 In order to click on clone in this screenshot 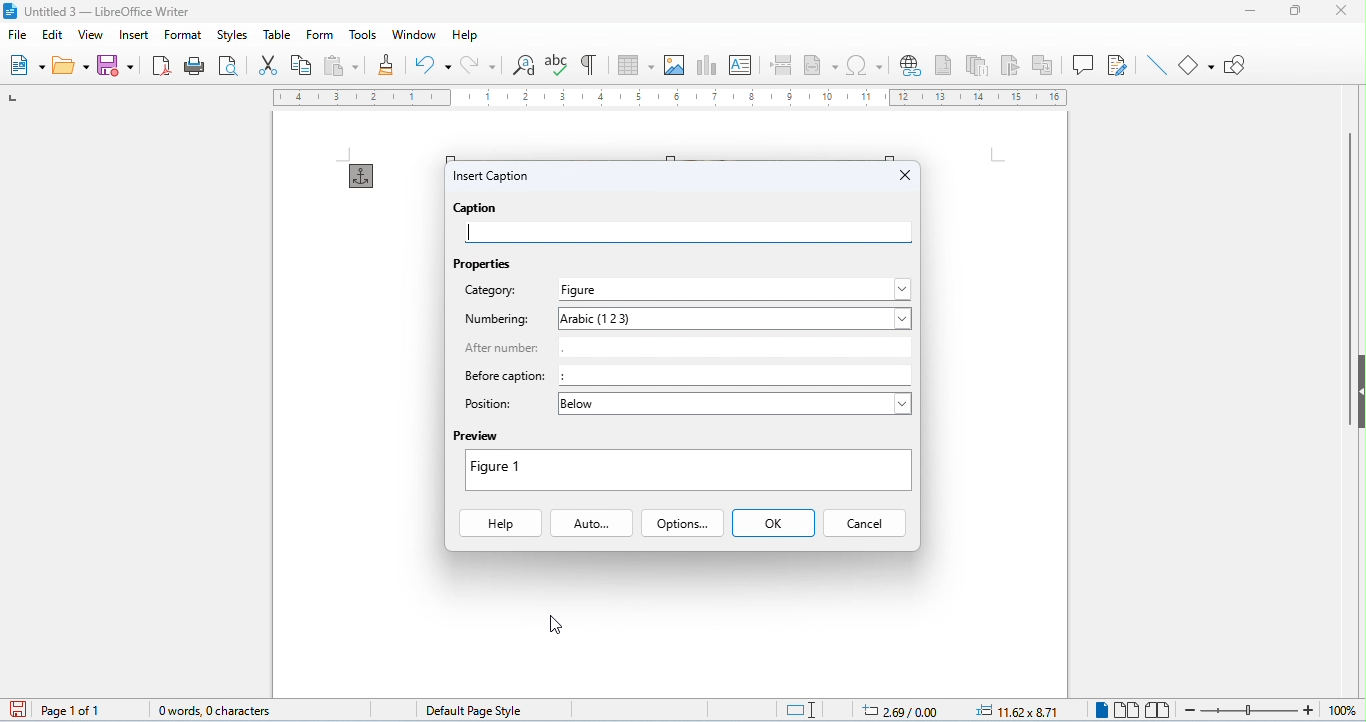, I will do `click(388, 64)`.